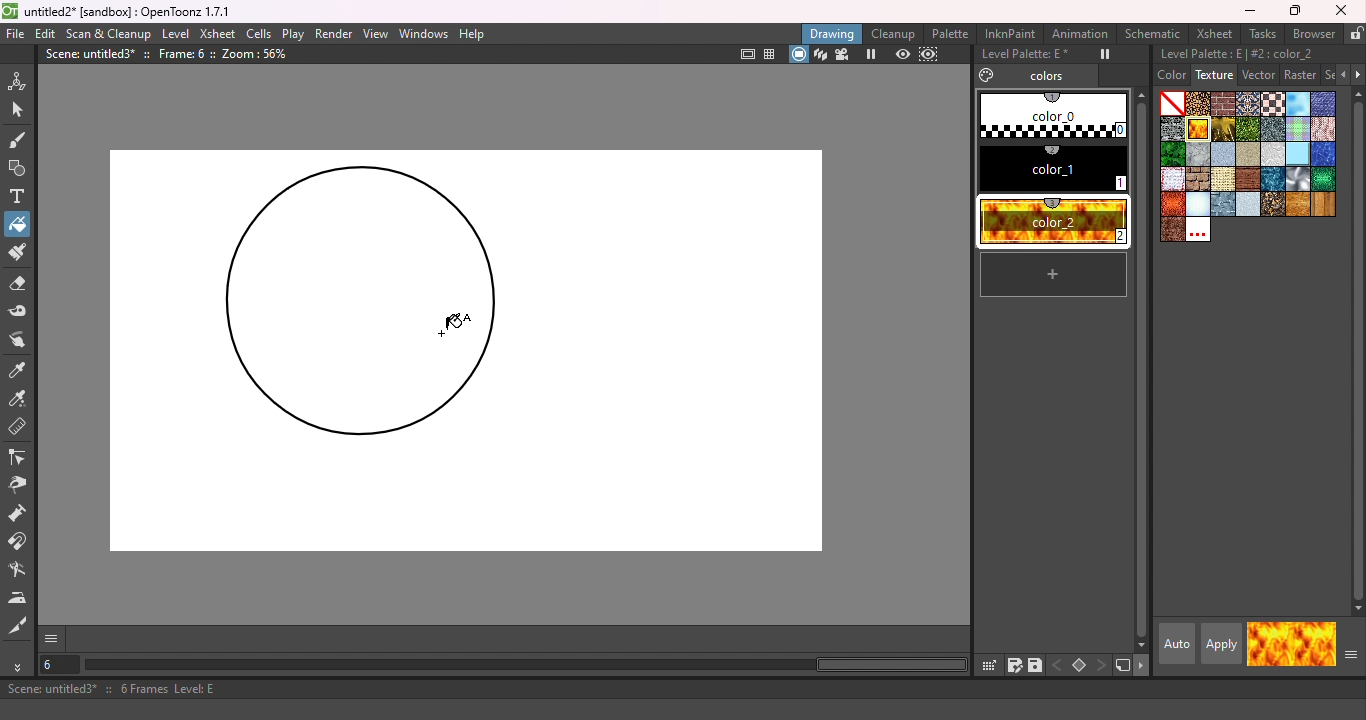  What do you see at coordinates (1198, 154) in the screenshot?
I see `marble.bmp` at bounding box center [1198, 154].